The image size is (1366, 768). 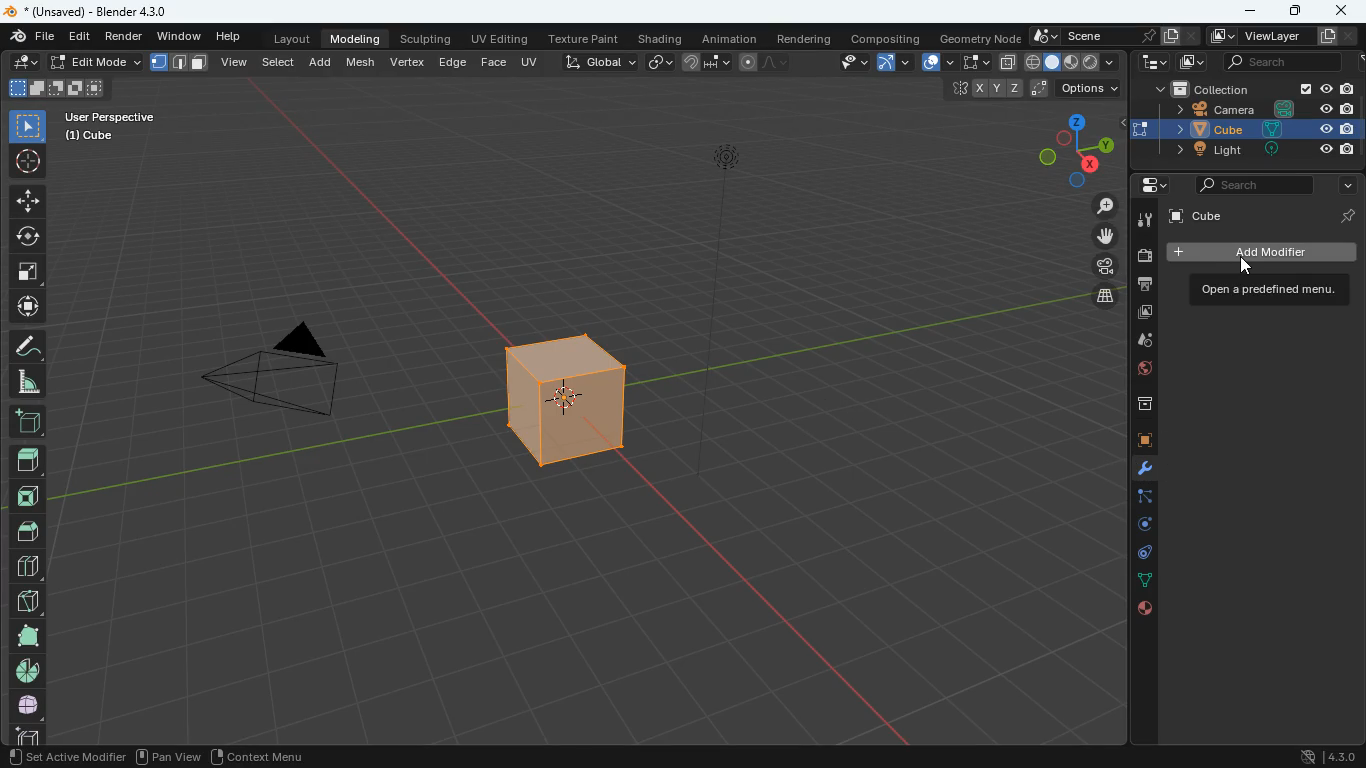 I want to click on camera, so click(x=1143, y=257).